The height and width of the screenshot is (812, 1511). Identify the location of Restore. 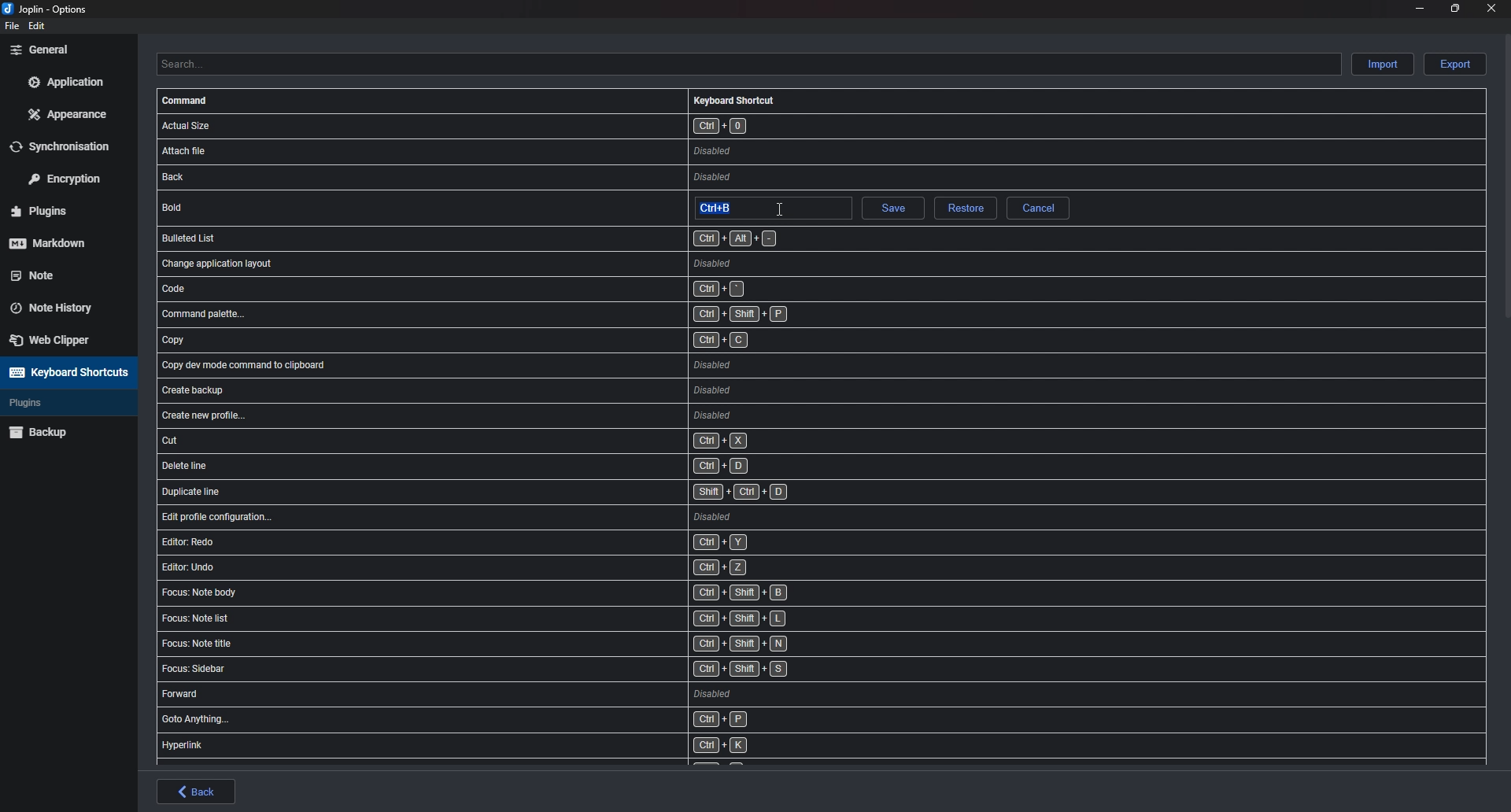
(964, 209).